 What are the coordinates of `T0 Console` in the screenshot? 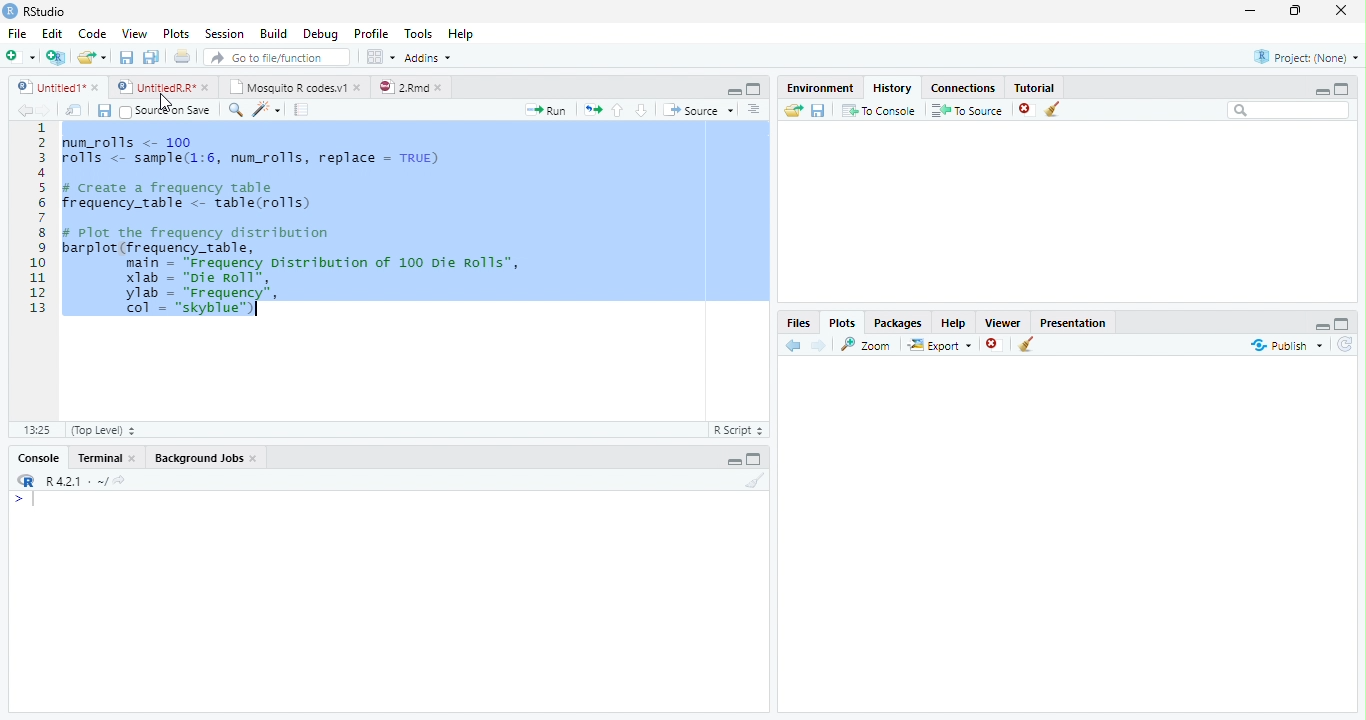 It's located at (878, 109).